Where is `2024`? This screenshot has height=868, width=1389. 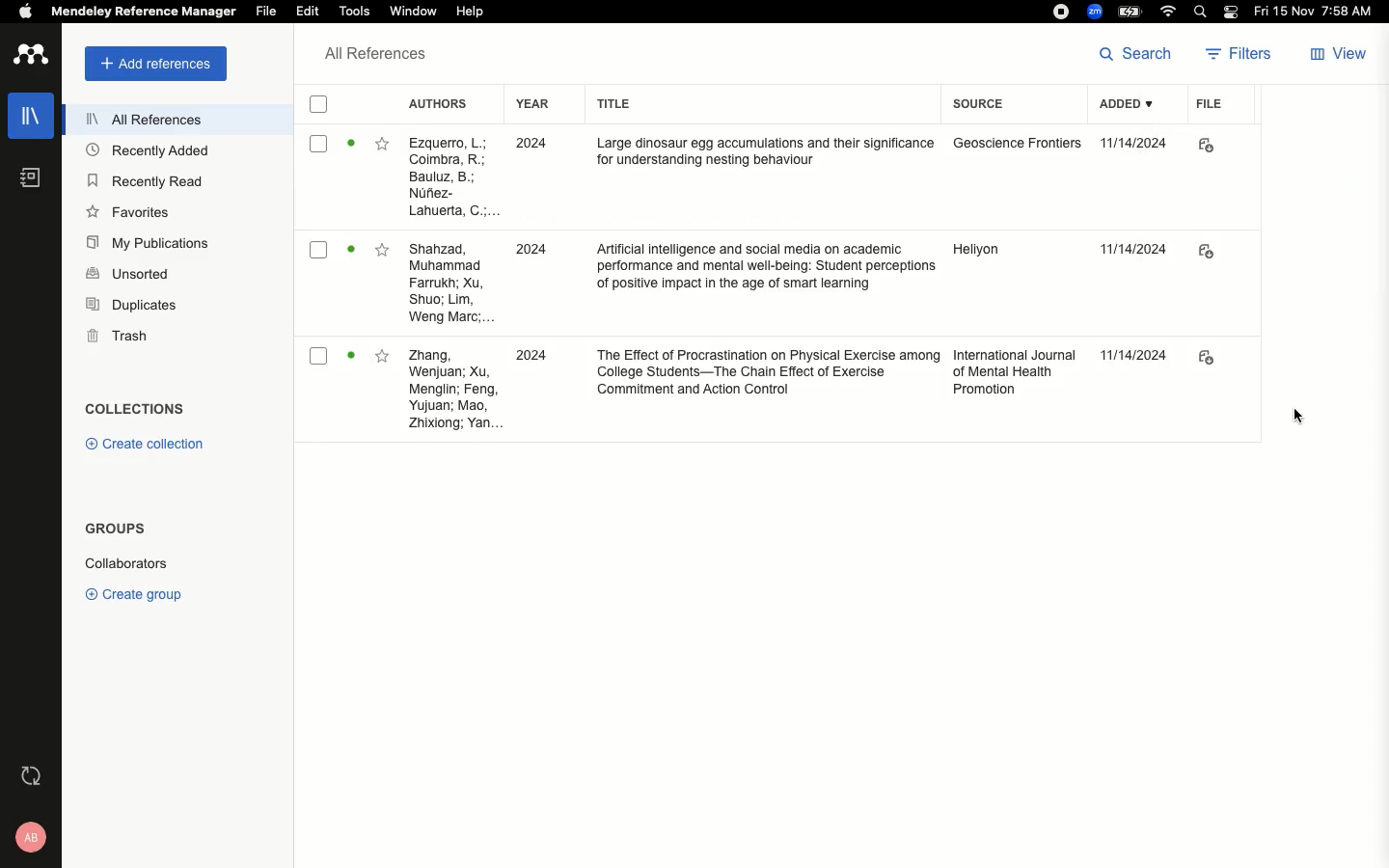 2024 is located at coordinates (528, 146).